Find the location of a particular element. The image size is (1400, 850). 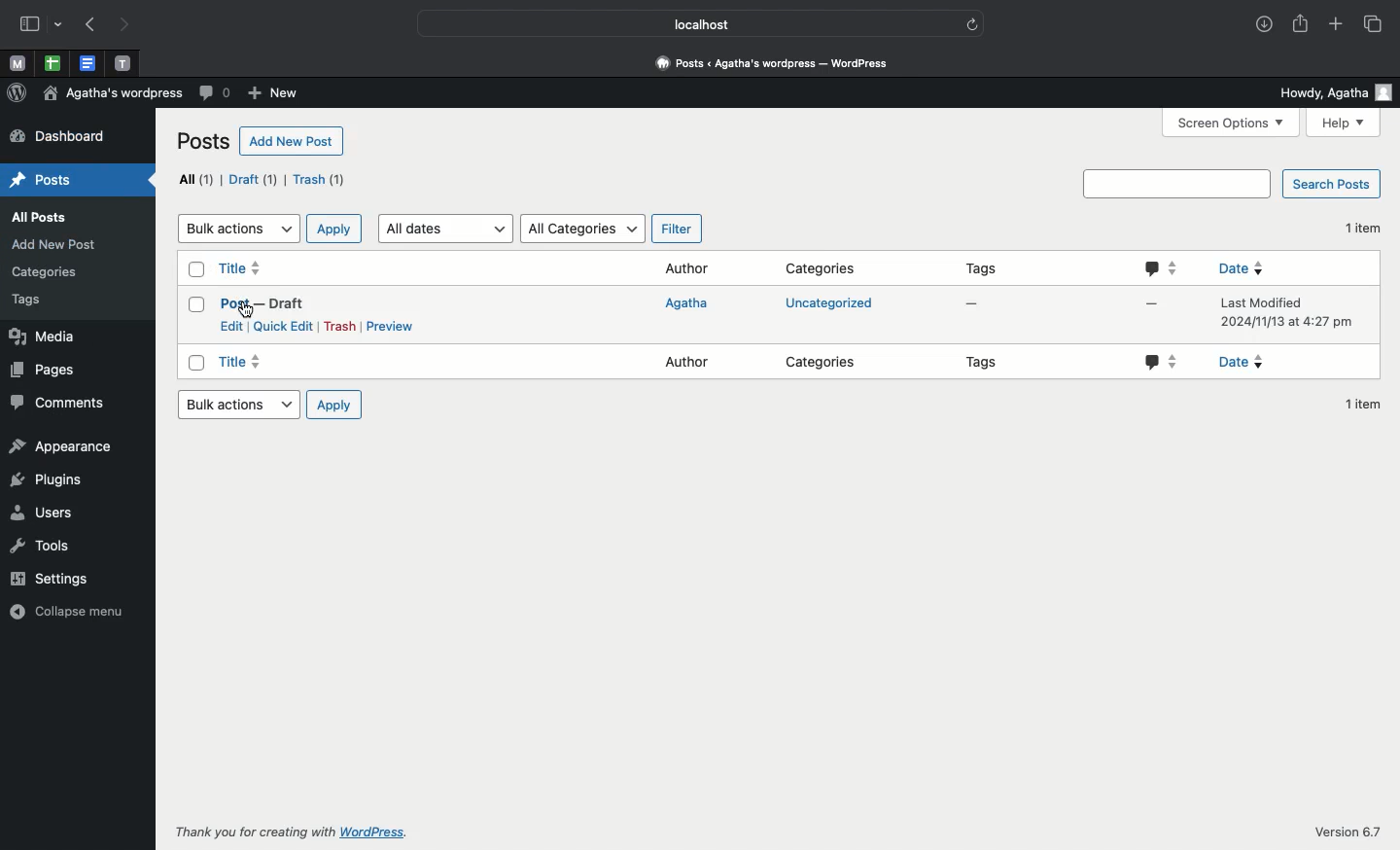

Tabs is located at coordinates (1376, 24).